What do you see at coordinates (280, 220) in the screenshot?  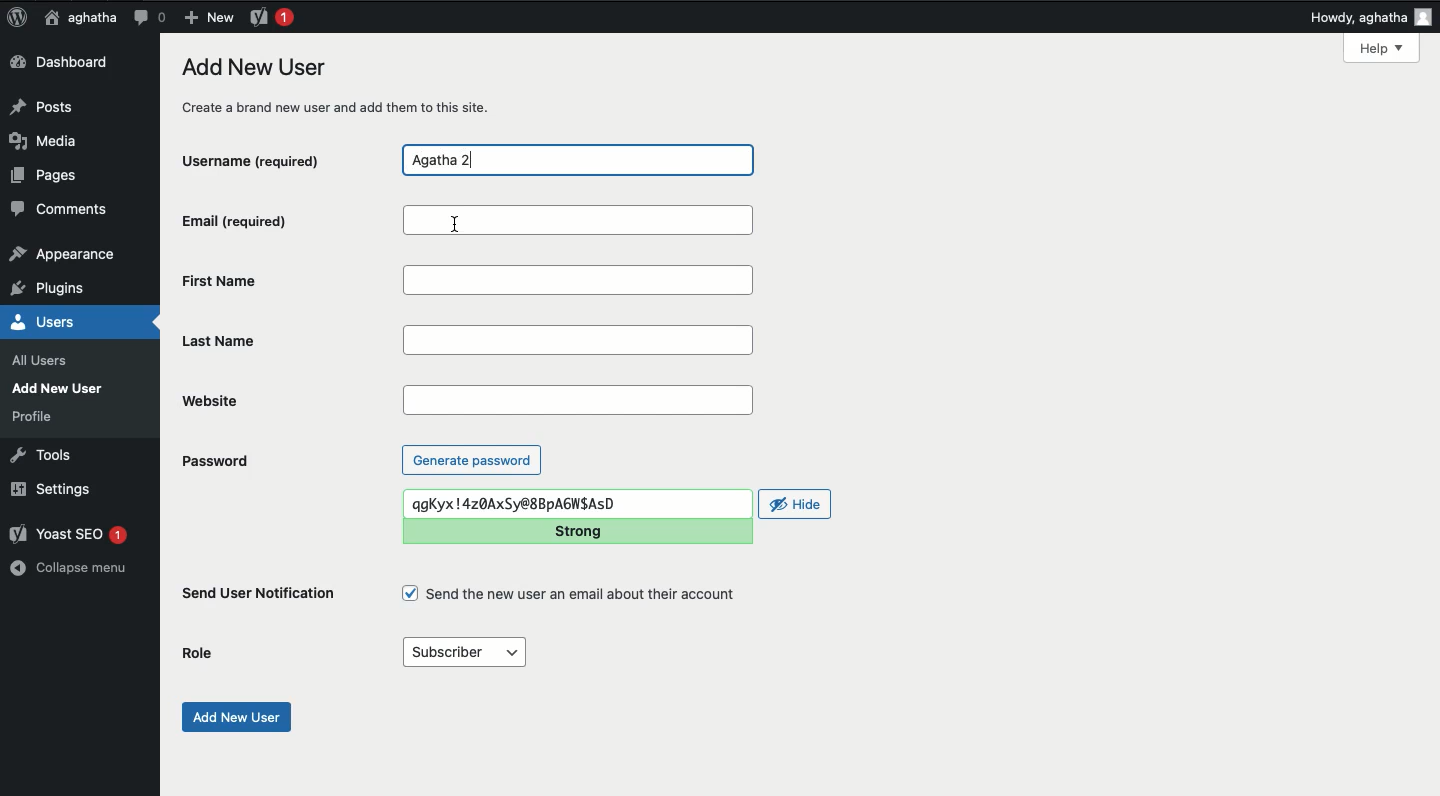 I see `Email (required)` at bounding box center [280, 220].